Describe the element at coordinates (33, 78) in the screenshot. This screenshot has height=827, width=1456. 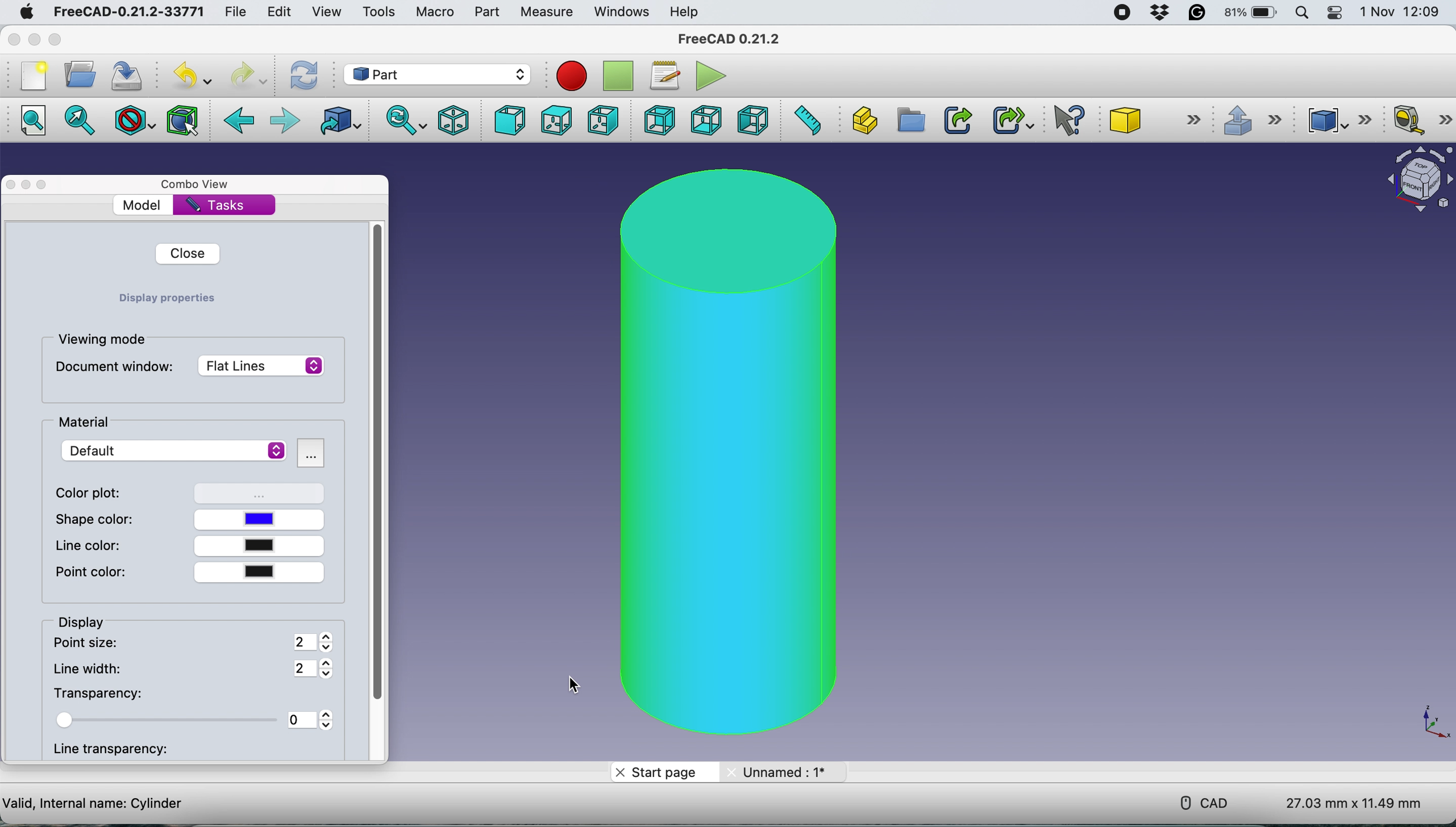
I see `new` at that location.